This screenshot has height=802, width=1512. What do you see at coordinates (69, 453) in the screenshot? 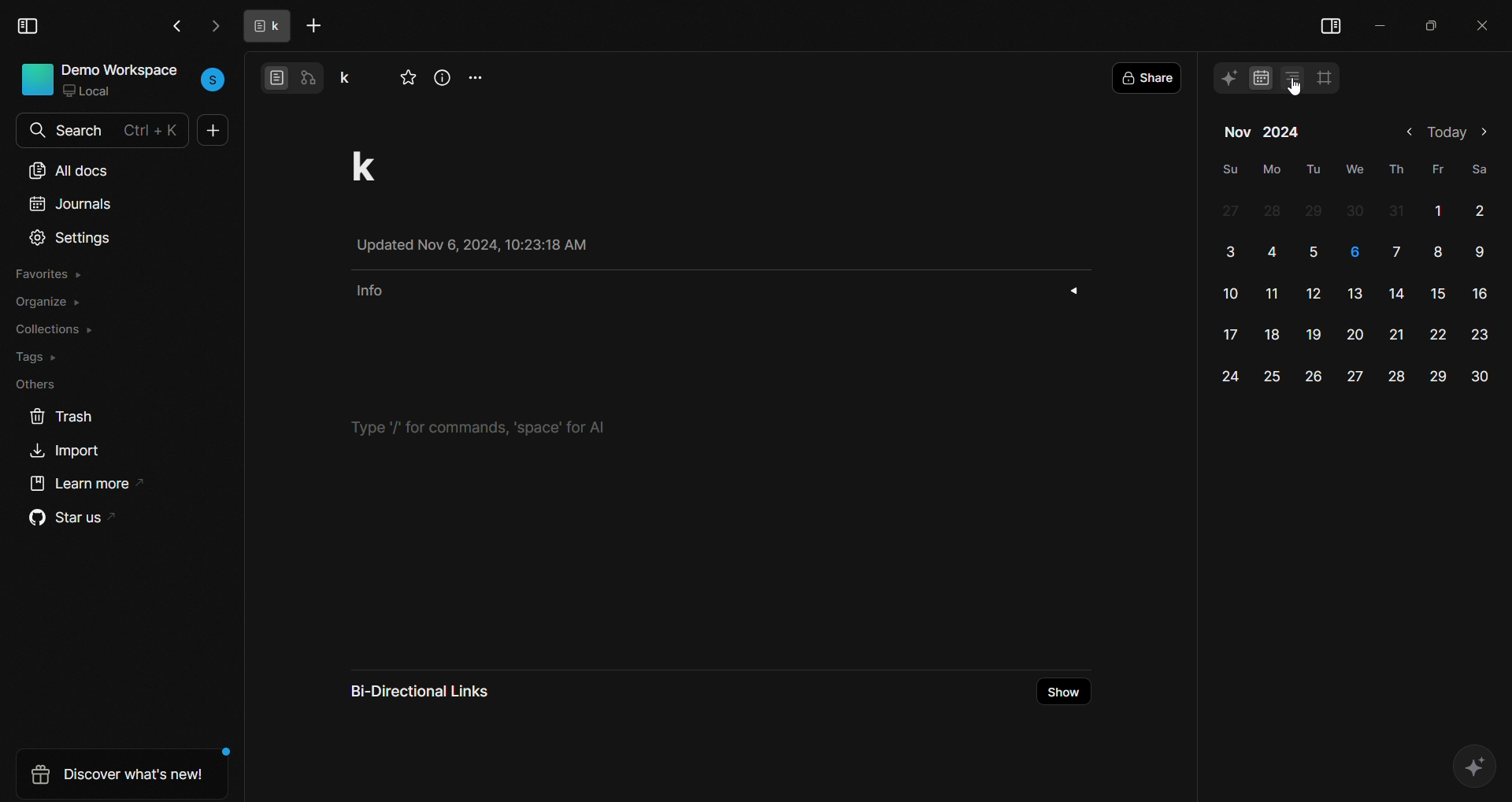
I see `import` at bounding box center [69, 453].